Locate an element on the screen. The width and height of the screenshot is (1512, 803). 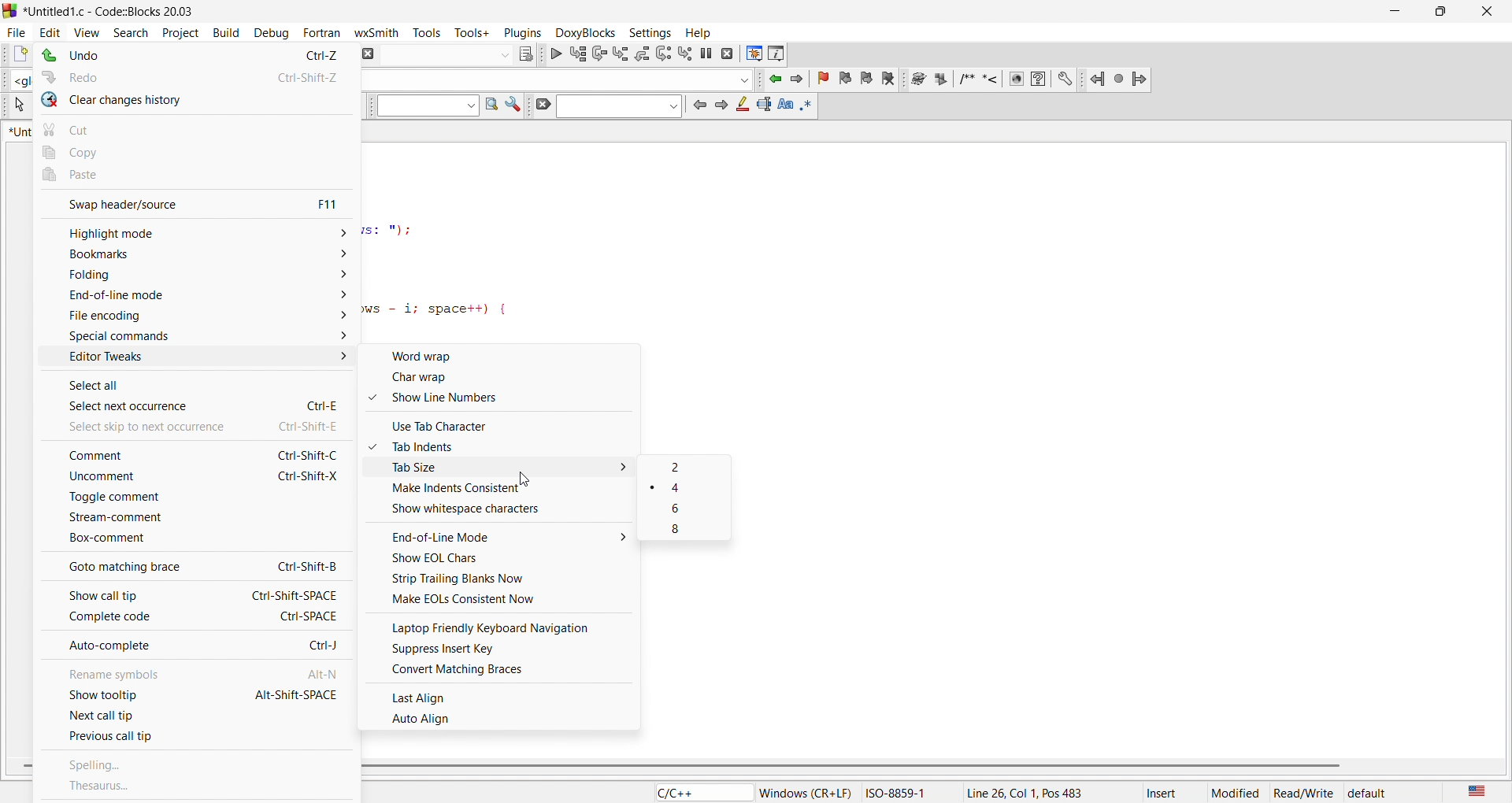
view is located at coordinates (89, 28).